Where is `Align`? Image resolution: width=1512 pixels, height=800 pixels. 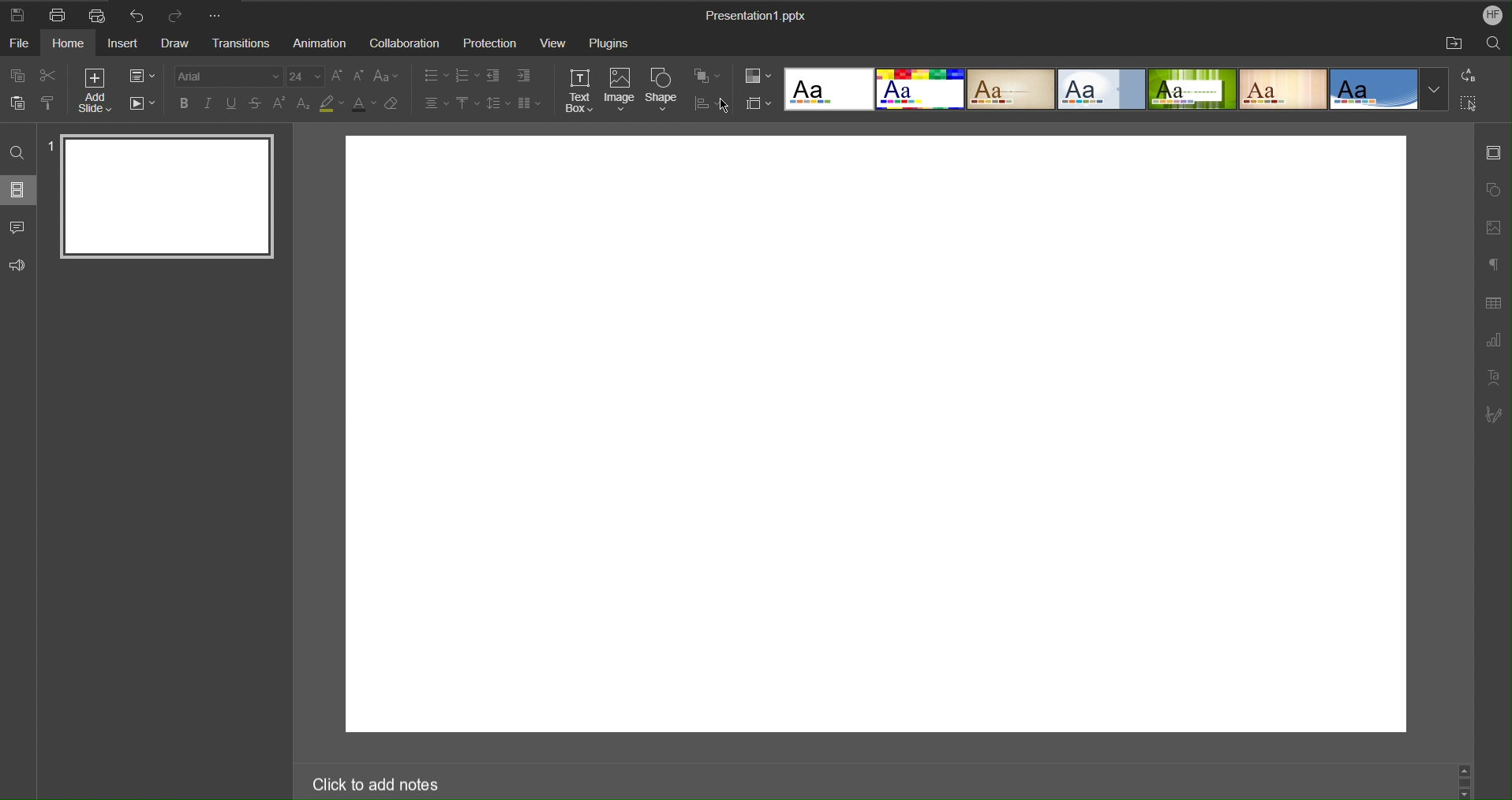
Align is located at coordinates (706, 100).